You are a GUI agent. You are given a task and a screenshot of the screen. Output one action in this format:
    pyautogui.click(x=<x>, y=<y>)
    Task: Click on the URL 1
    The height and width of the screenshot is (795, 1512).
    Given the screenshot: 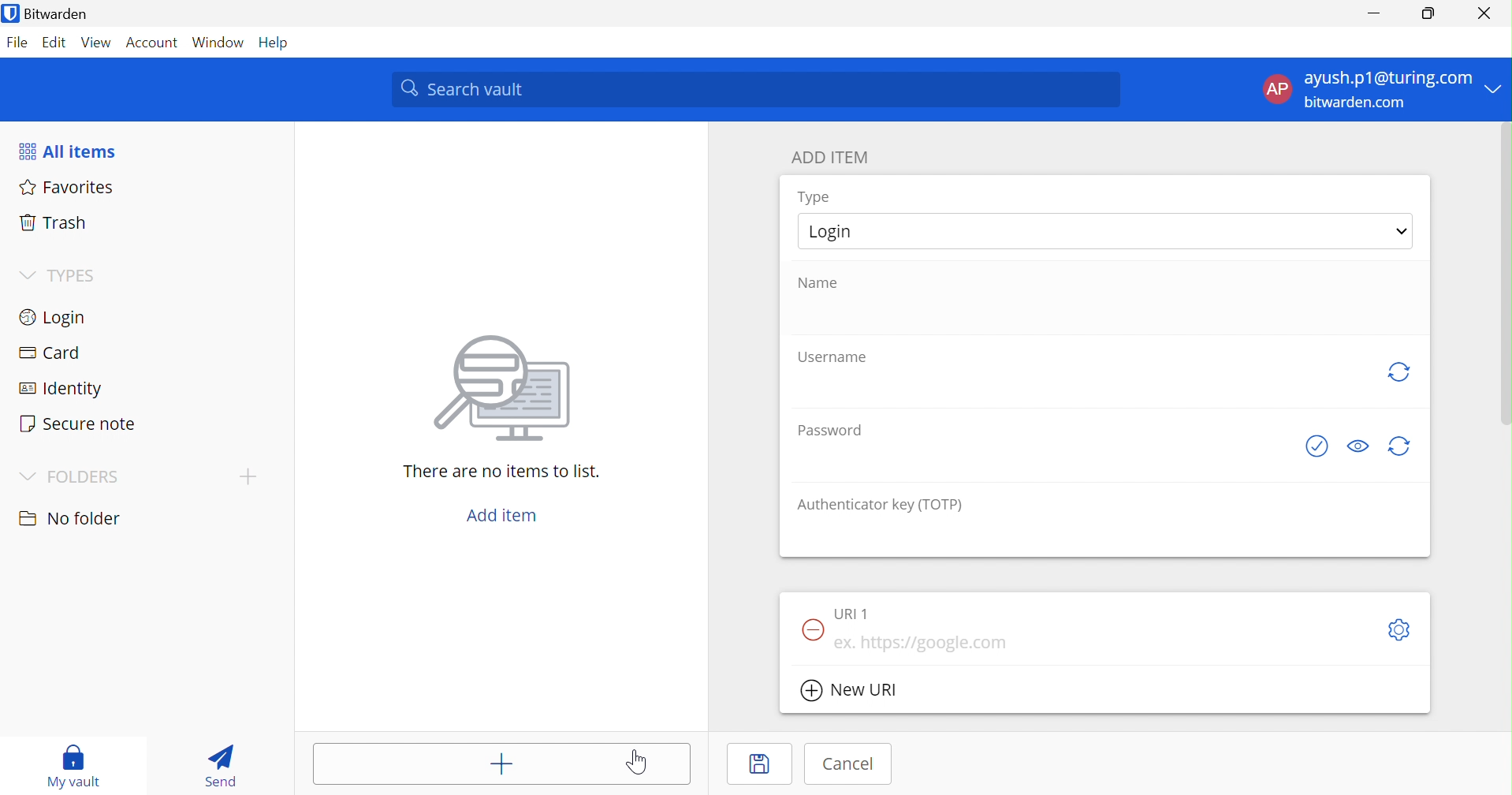 What is the action you would take?
    pyautogui.click(x=851, y=613)
    